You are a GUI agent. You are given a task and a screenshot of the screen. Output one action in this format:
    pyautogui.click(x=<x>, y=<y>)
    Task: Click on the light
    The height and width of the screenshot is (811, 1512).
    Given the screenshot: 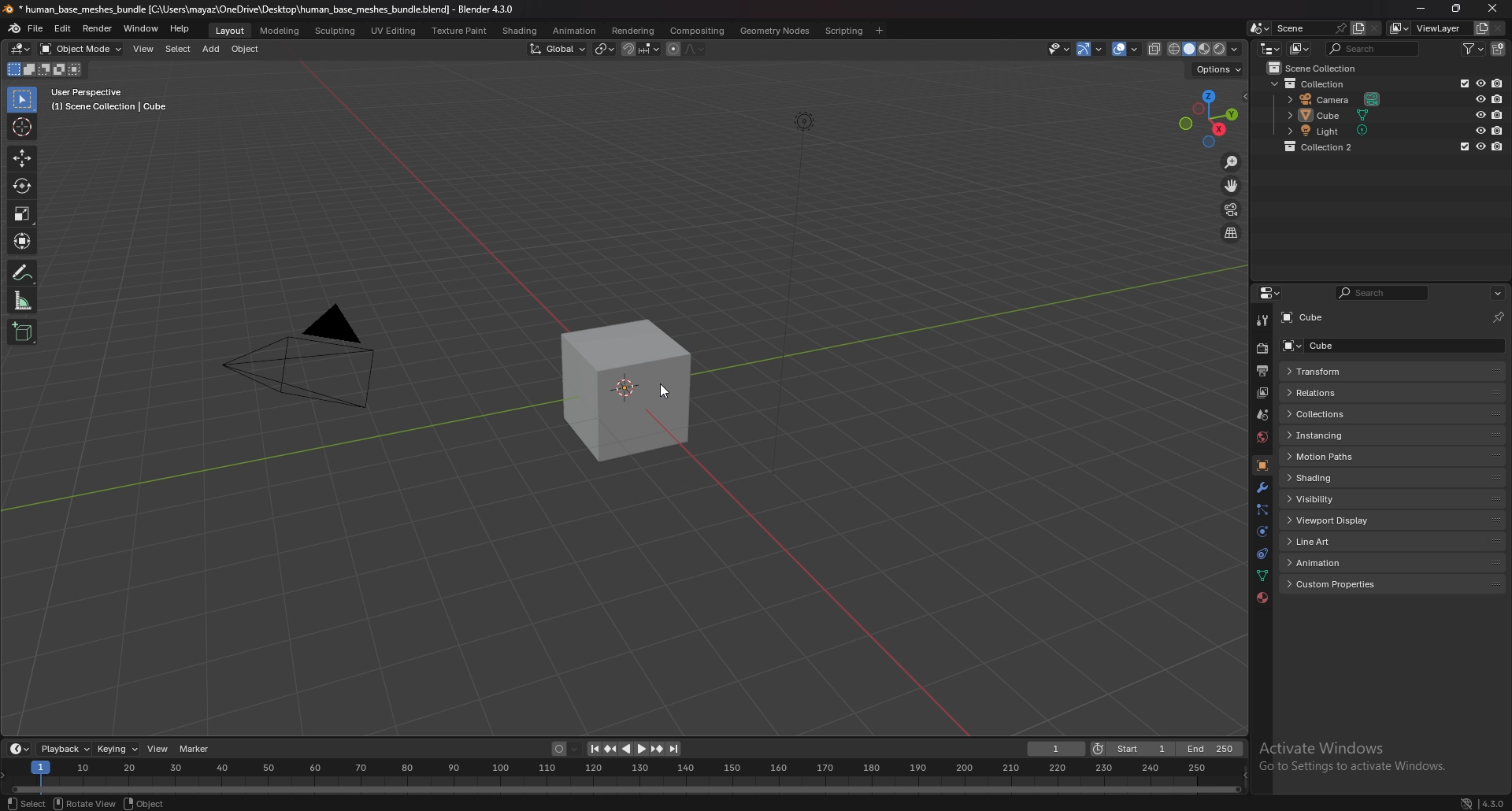 What is the action you would take?
    pyautogui.click(x=1341, y=130)
    